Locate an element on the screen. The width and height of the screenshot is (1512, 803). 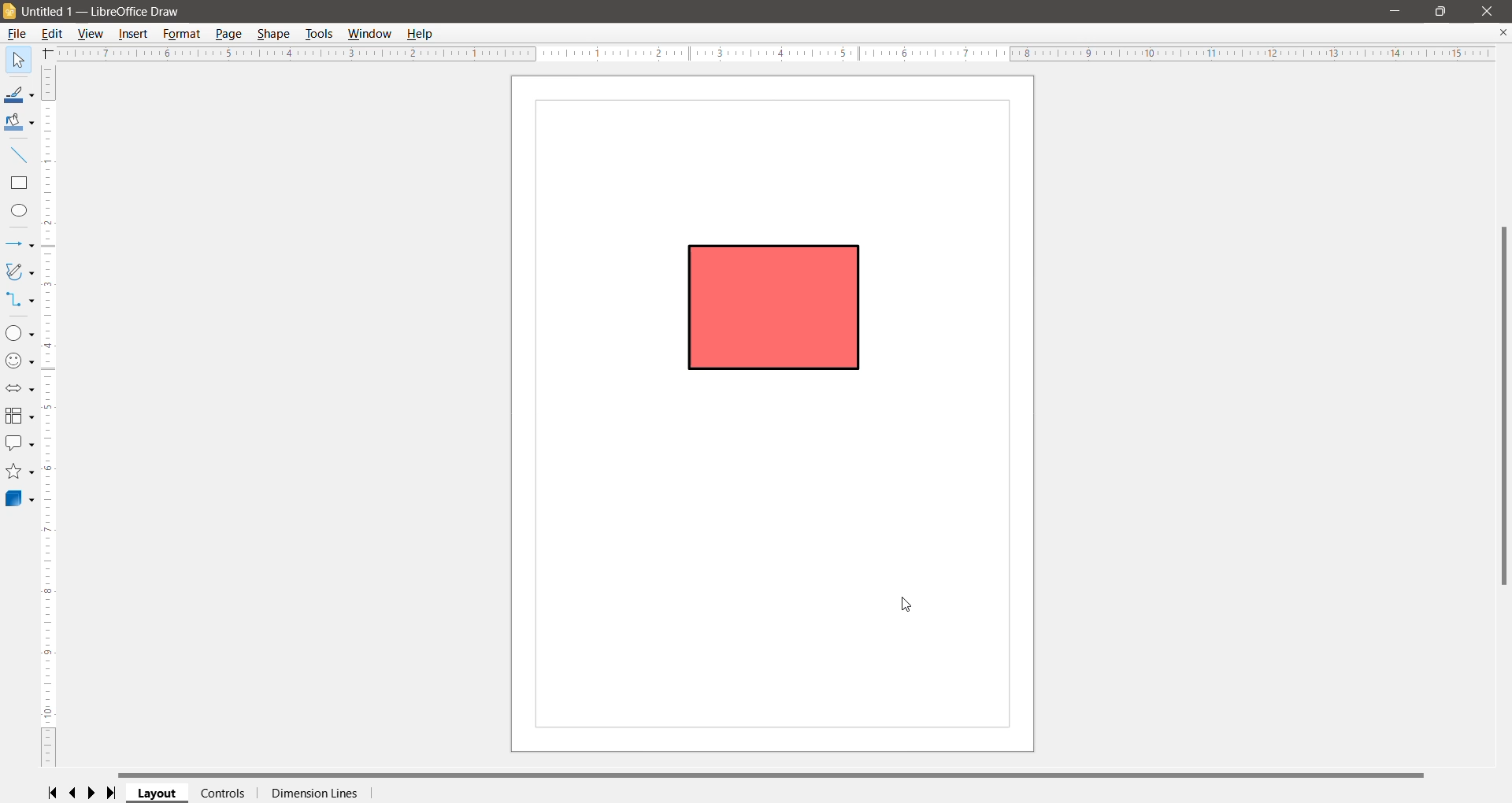
Insert is located at coordinates (135, 33).